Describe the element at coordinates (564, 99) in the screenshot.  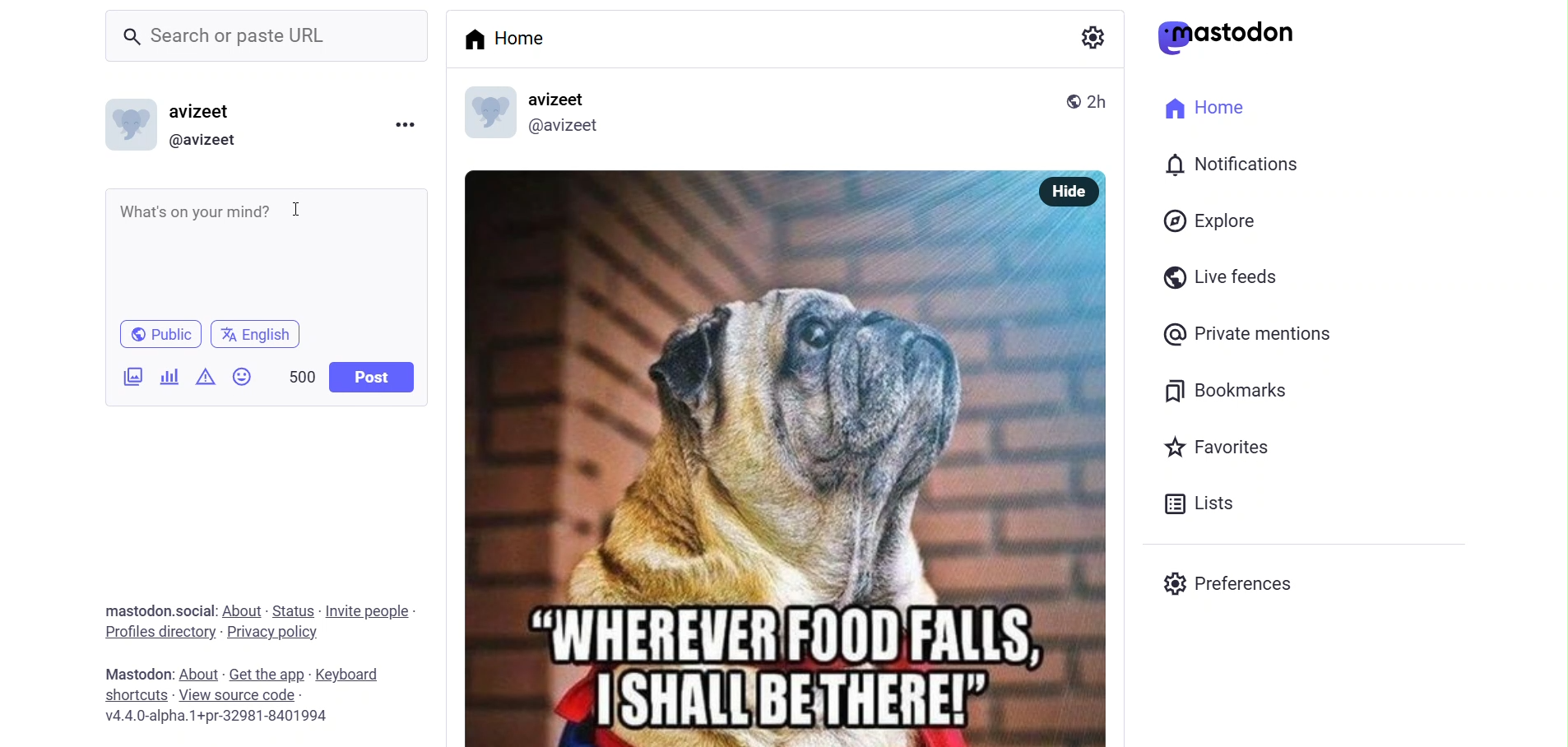
I see `name` at that location.